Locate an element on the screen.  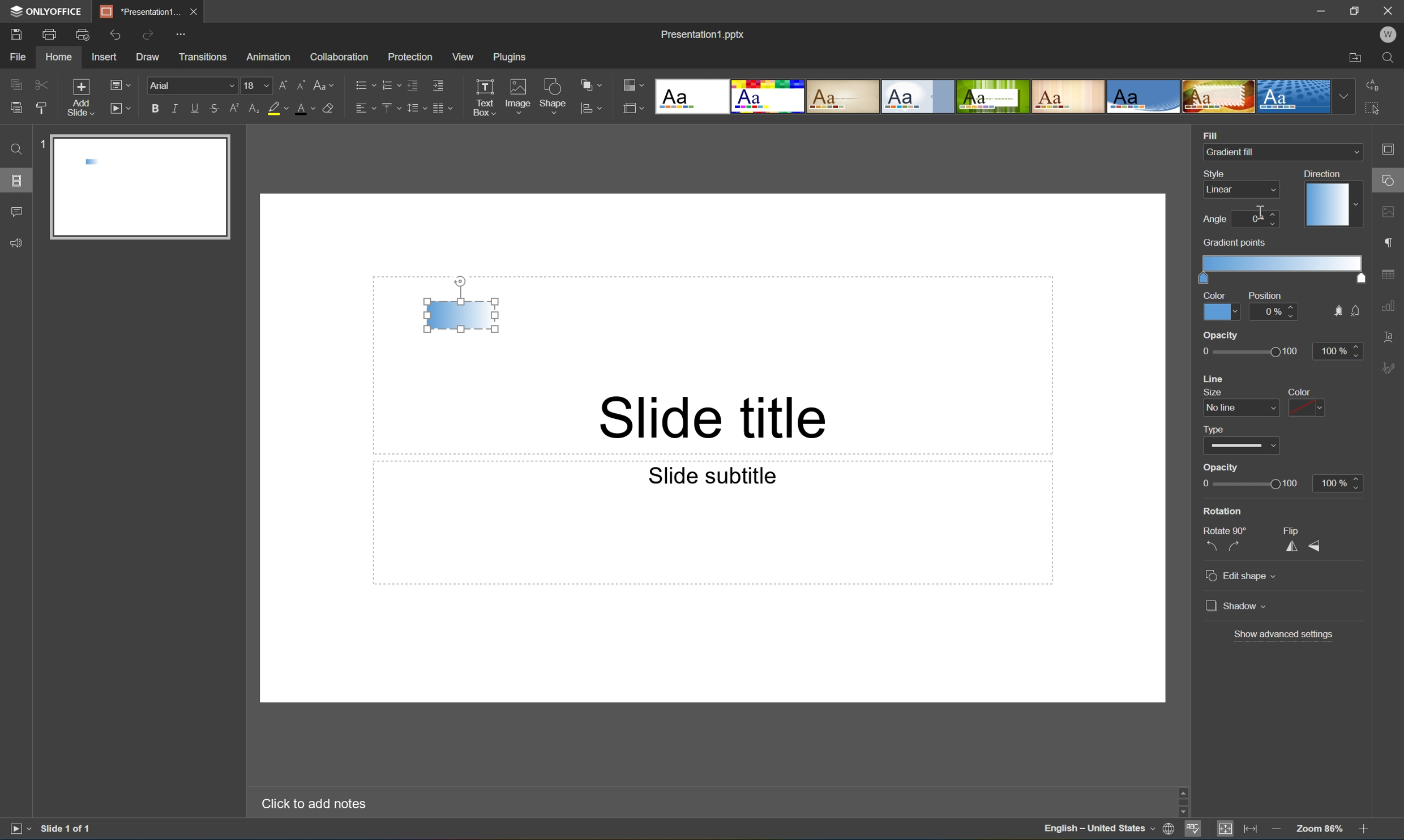
Change case is located at coordinates (324, 82).